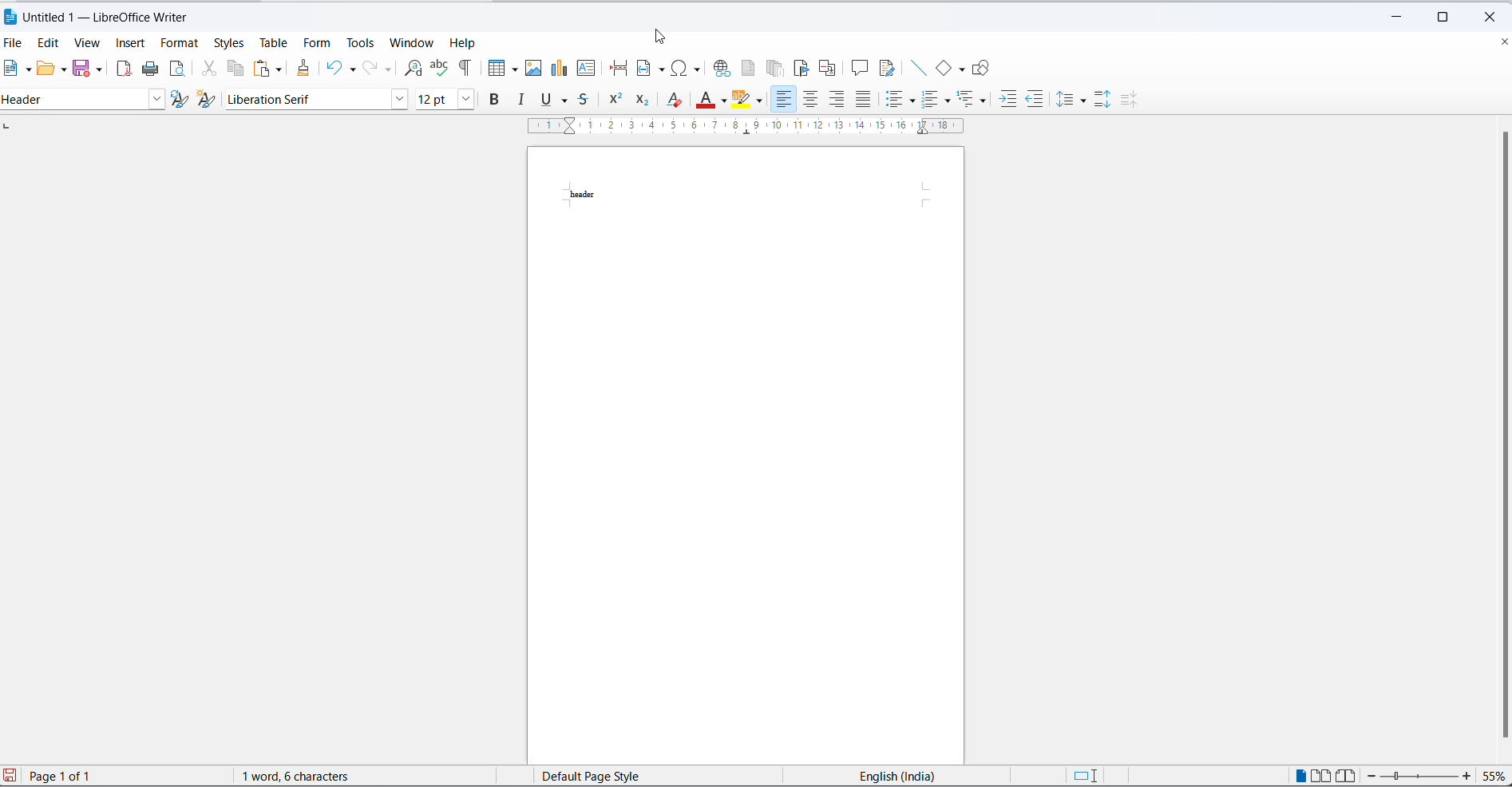 The image size is (1512, 787). Describe the element at coordinates (362, 43) in the screenshot. I see `tools` at that location.